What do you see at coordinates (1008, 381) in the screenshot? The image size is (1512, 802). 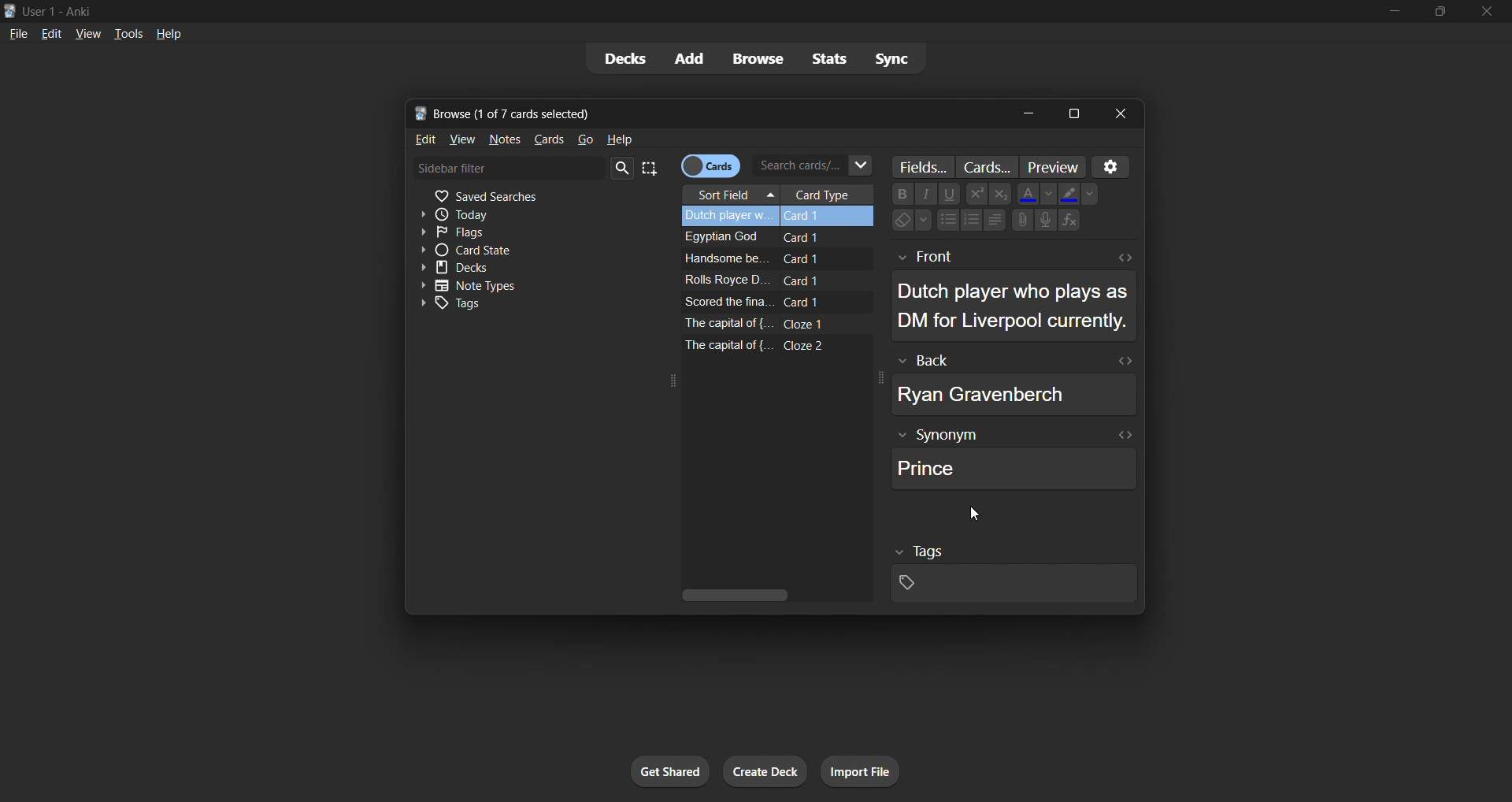 I see `selected card back data` at bounding box center [1008, 381].